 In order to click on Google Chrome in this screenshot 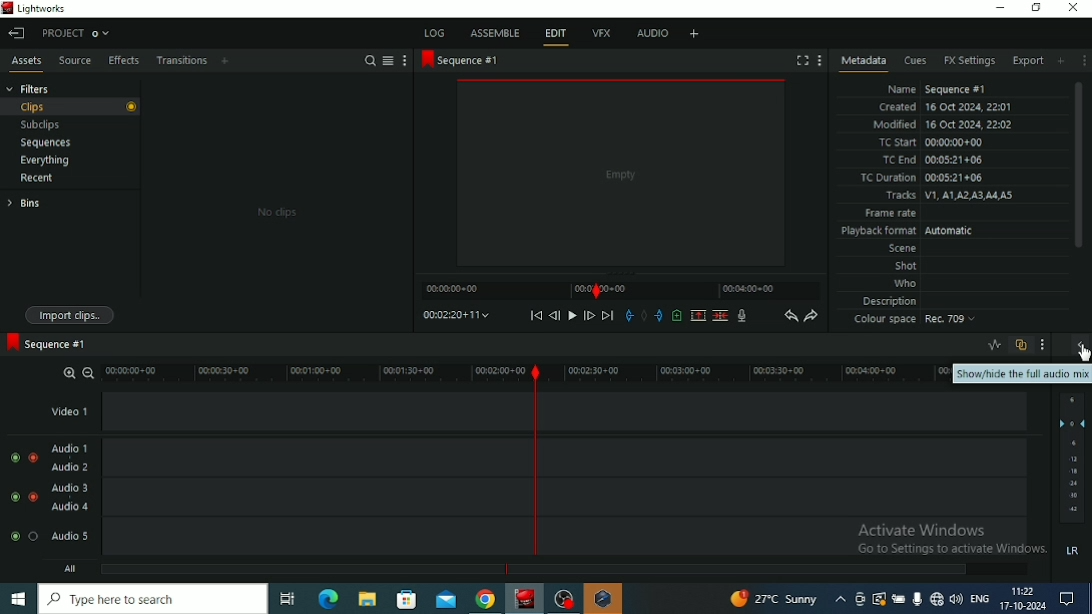, I will do `click(486, 599)`.